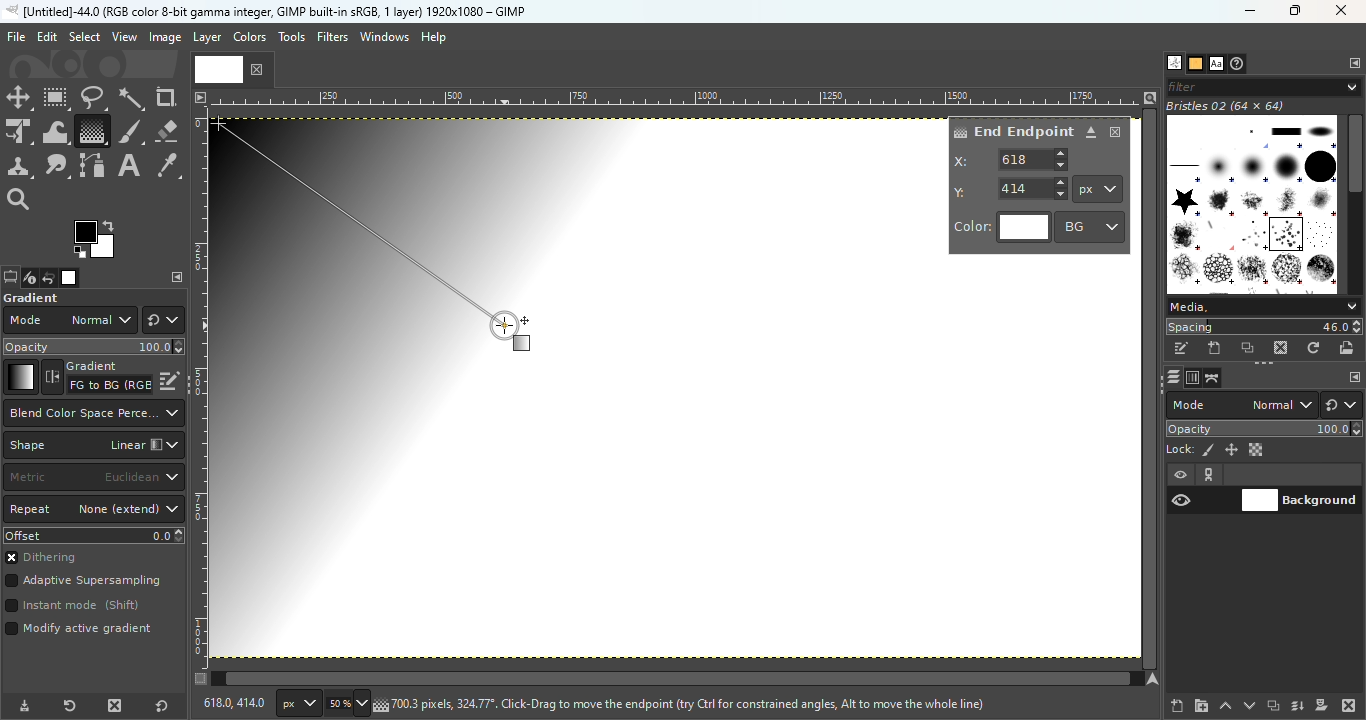 The image size is (1366, 720). Describe the element at coordinates (1264, 86) in the screenshot. I see `Filter` at that location.